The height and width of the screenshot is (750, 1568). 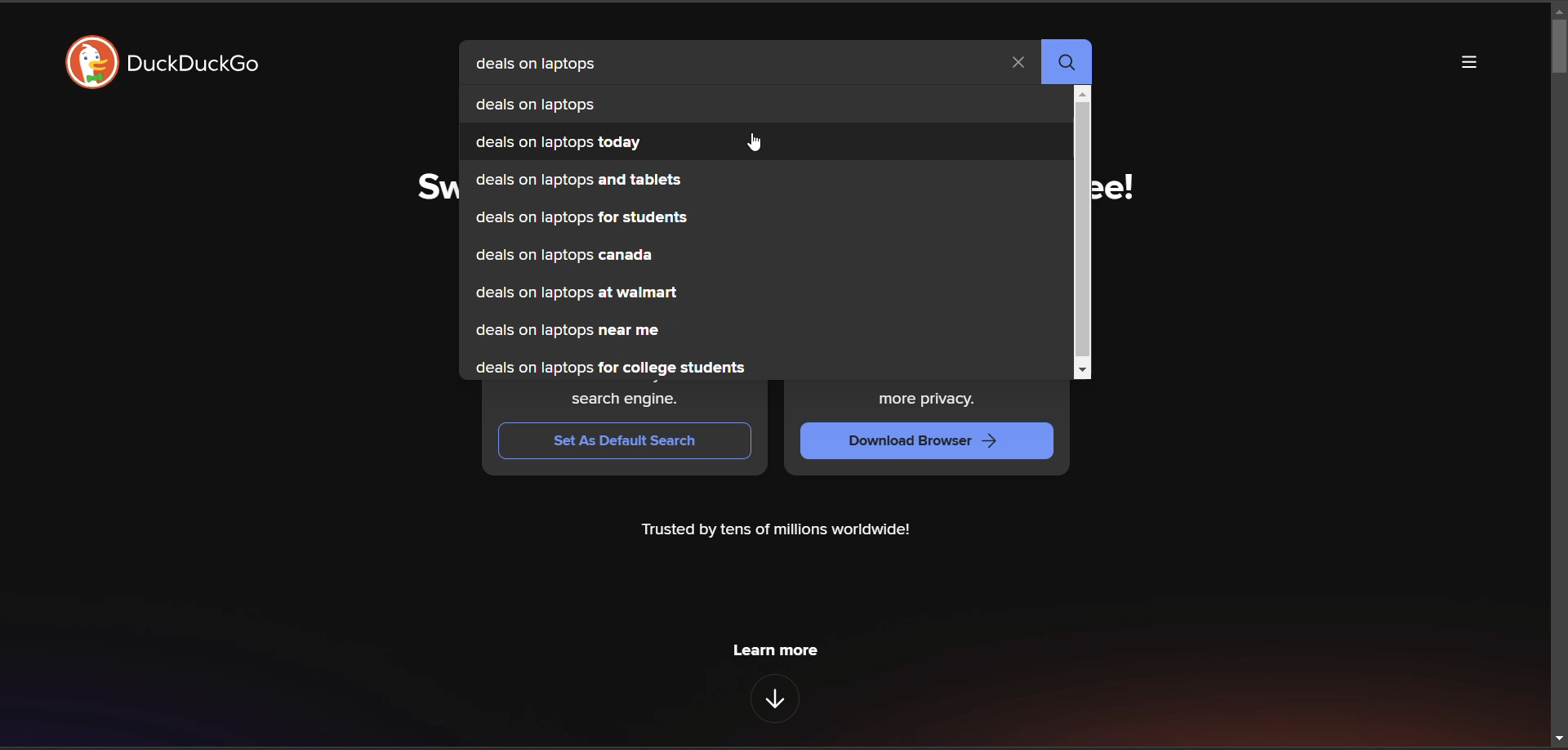 What do you see at coordinates (775, 650) in the screenshot?
I see `learn more` at bounding box center [775, 650].